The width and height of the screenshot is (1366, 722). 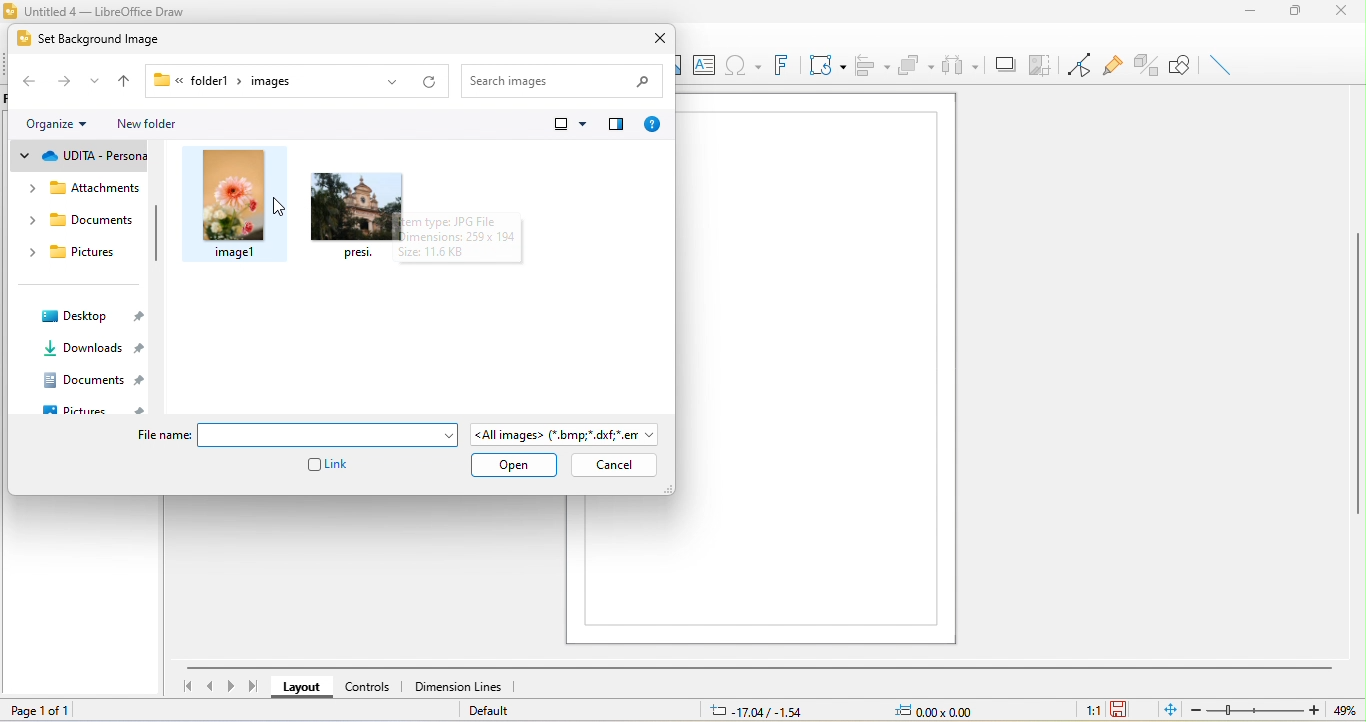 What do you see at coordinates (391, 83) in the screenshot?
I see `previous location` at bounding box center [391, 83].